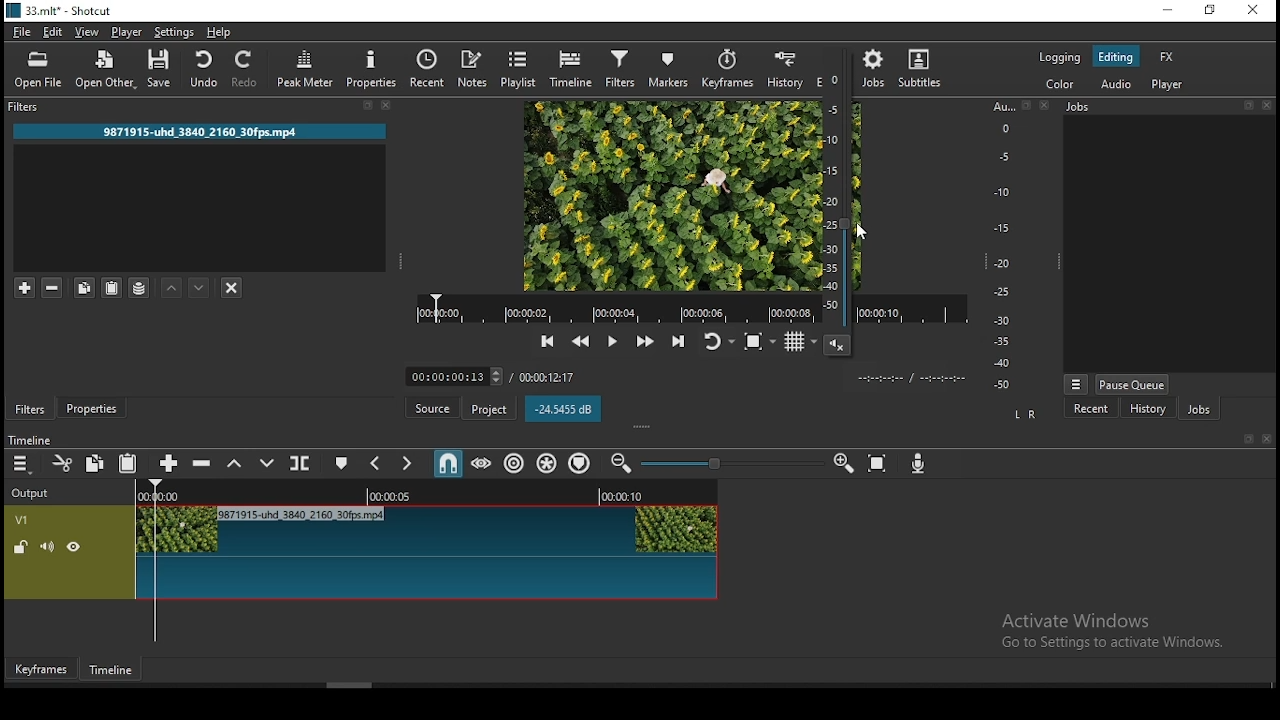 The width and height of the screenshot is (1280, 720). What do you see at coordinates (677, 340) in the screenshot?
I see `skip to next point` at bounding box center [677, 340].